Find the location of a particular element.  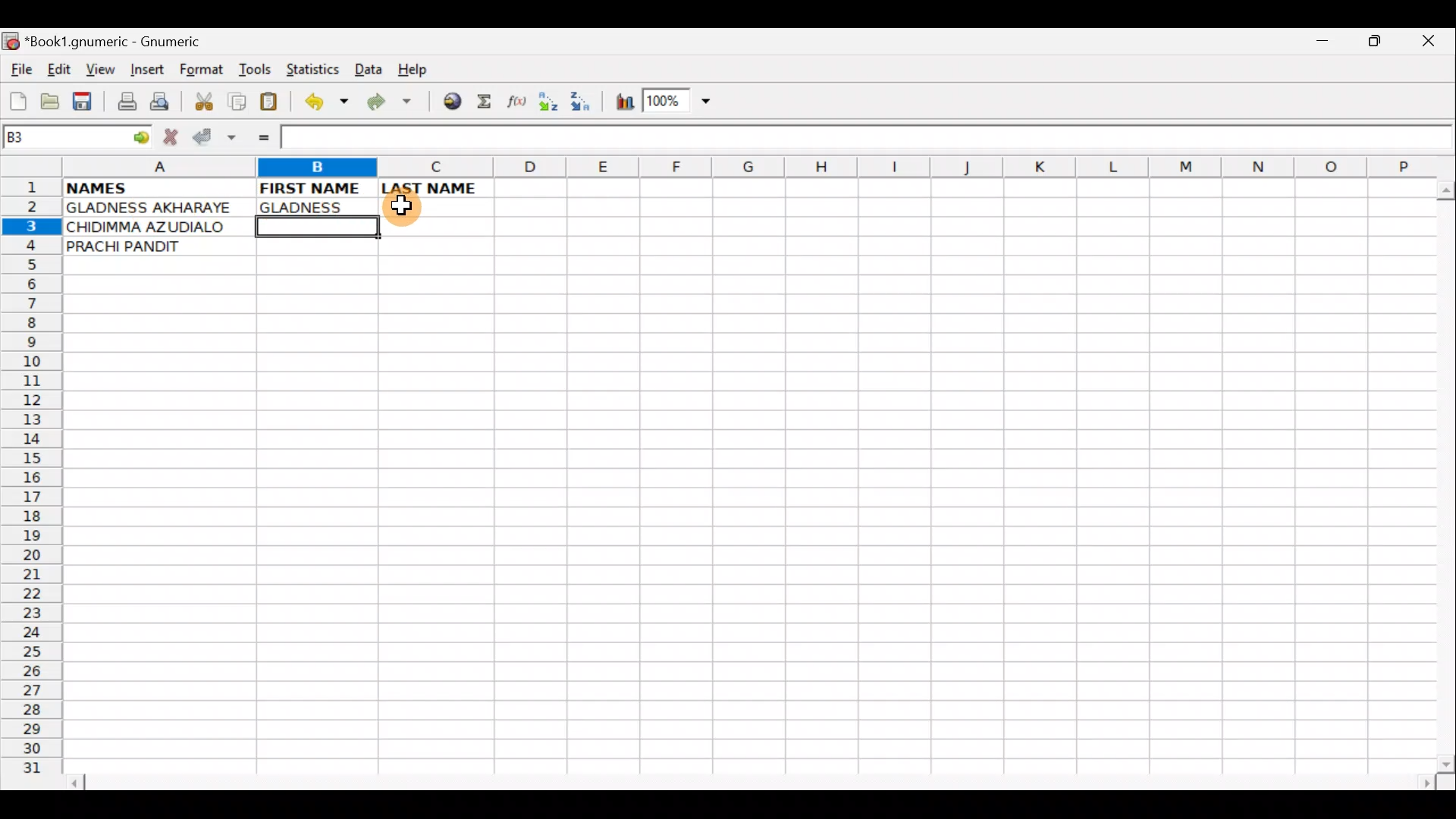

Print file is located at coordinates (123, 103).